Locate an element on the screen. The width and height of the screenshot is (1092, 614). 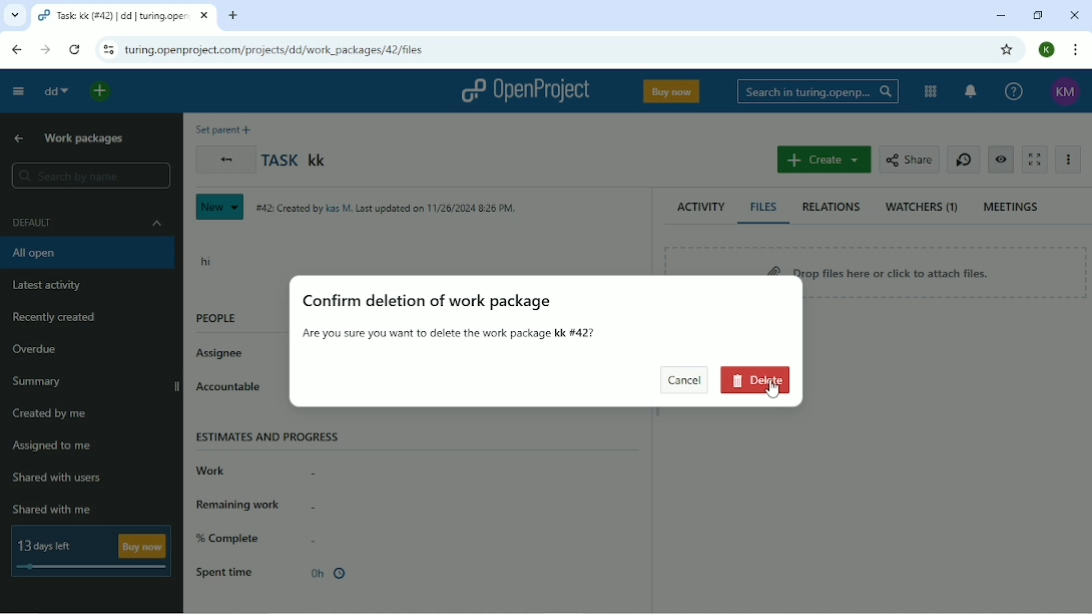
Minimize is located at coordinates (1000, 15).